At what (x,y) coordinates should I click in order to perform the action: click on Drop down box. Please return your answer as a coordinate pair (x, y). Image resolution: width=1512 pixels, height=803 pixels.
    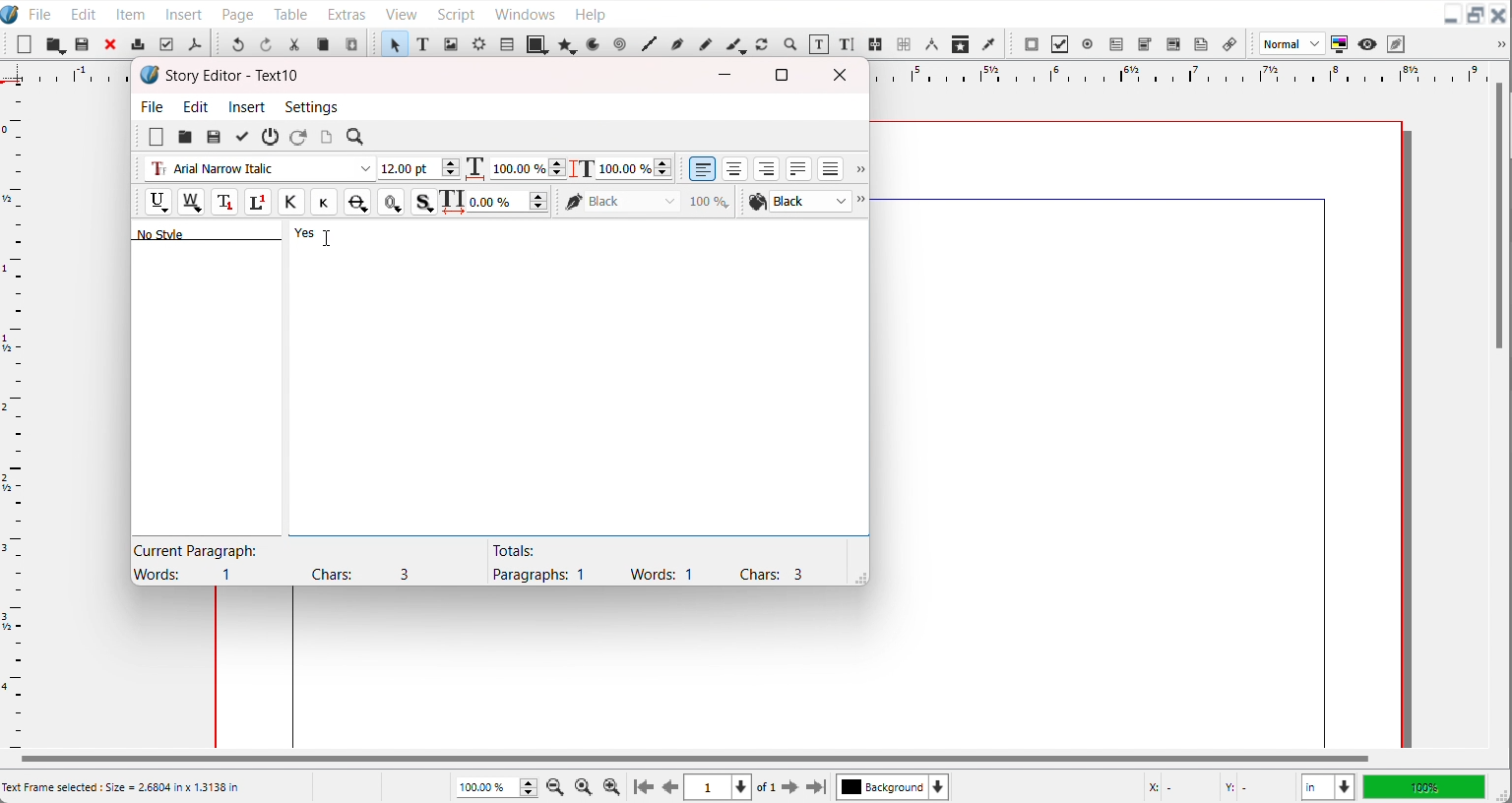
    Looking at the image, I should click on (1498, 44).